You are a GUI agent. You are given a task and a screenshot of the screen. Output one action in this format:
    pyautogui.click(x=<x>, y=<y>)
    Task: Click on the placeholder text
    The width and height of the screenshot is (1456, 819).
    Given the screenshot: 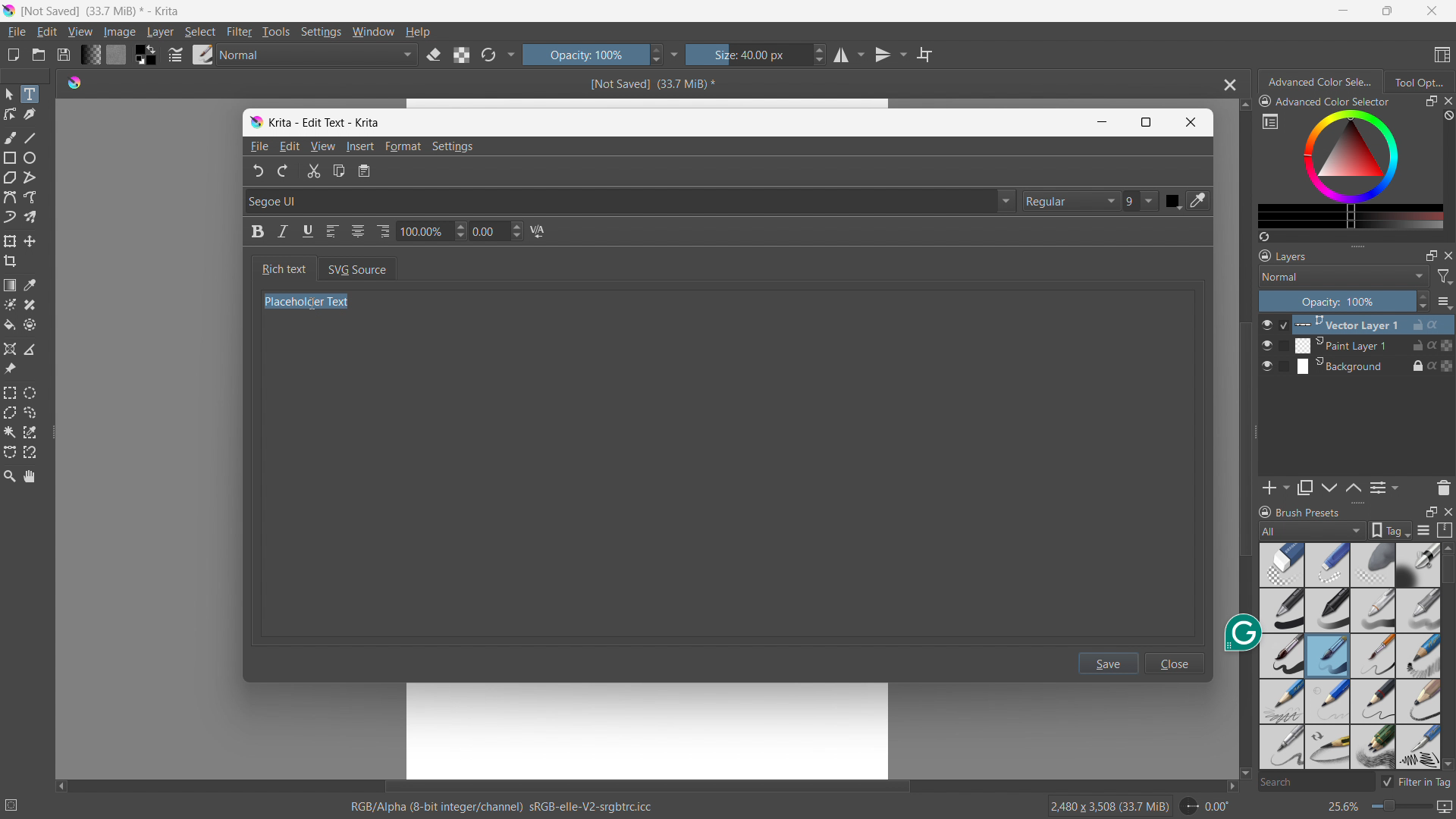 What is the action you would take?
    pyautogui.click(x=306, y=303)
    